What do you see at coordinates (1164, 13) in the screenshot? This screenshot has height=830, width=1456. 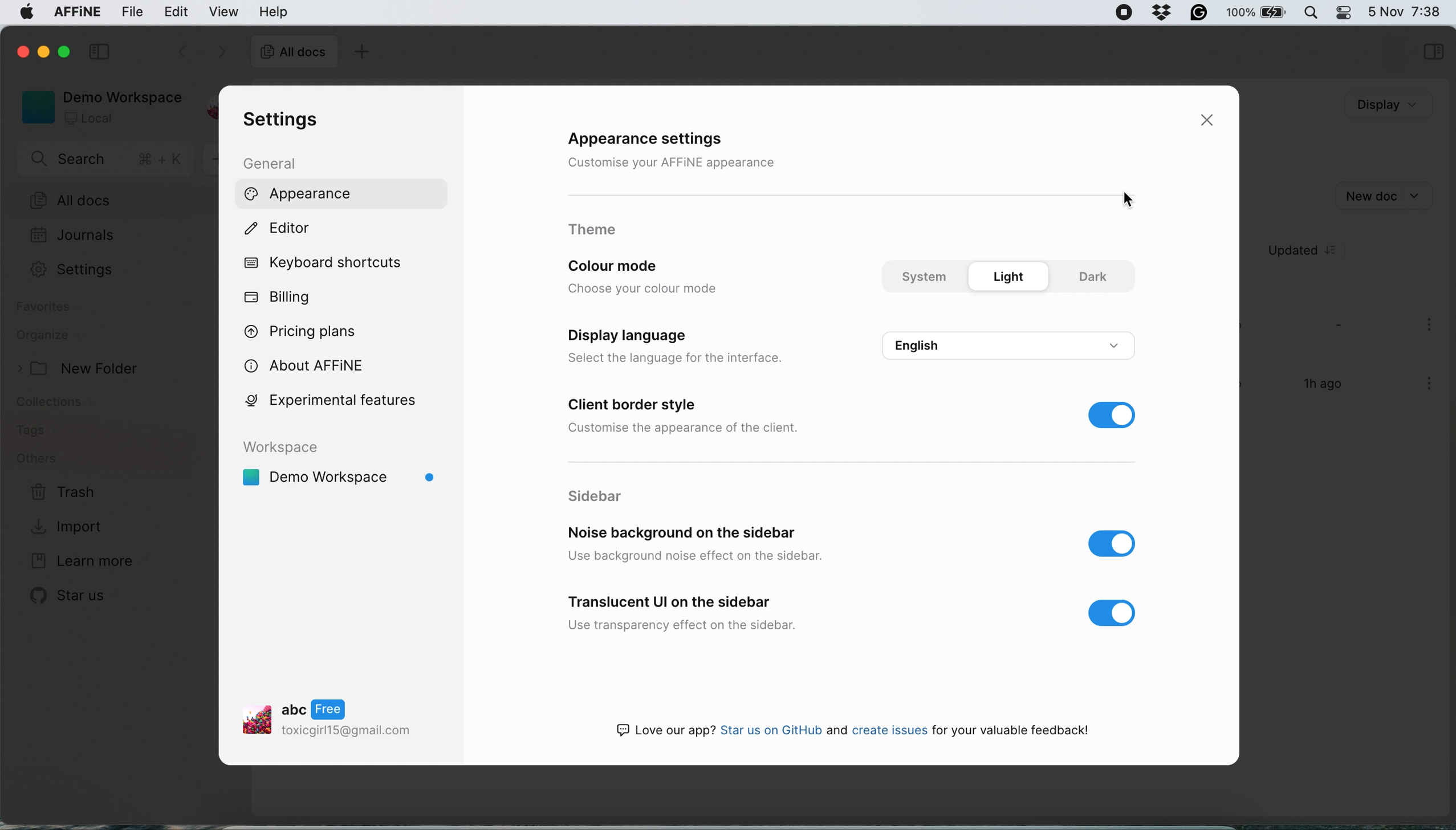 I see `dropbox` at bounding box center [1164, 13].